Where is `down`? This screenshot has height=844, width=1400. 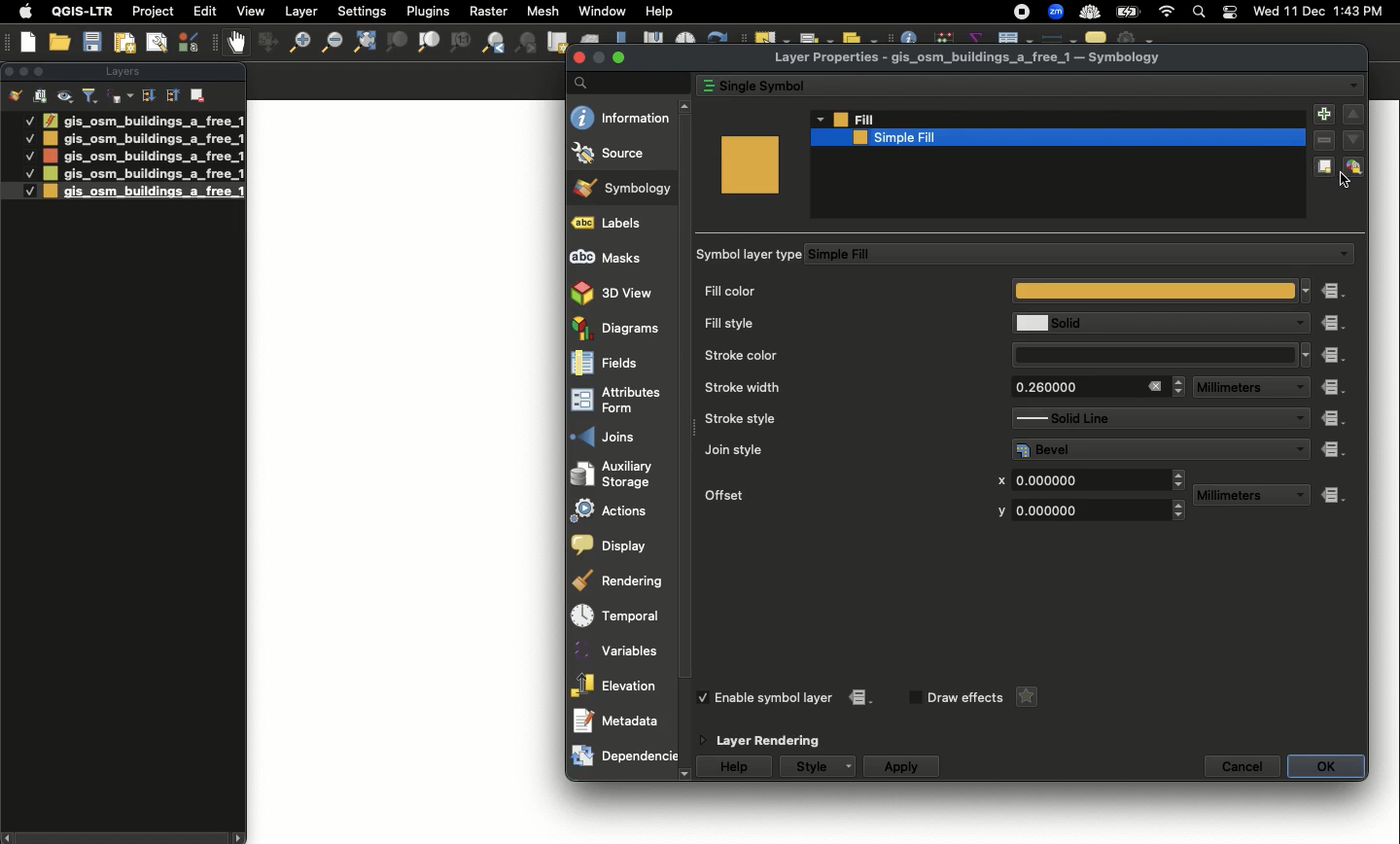
down is located at coordinates (1353, 139).